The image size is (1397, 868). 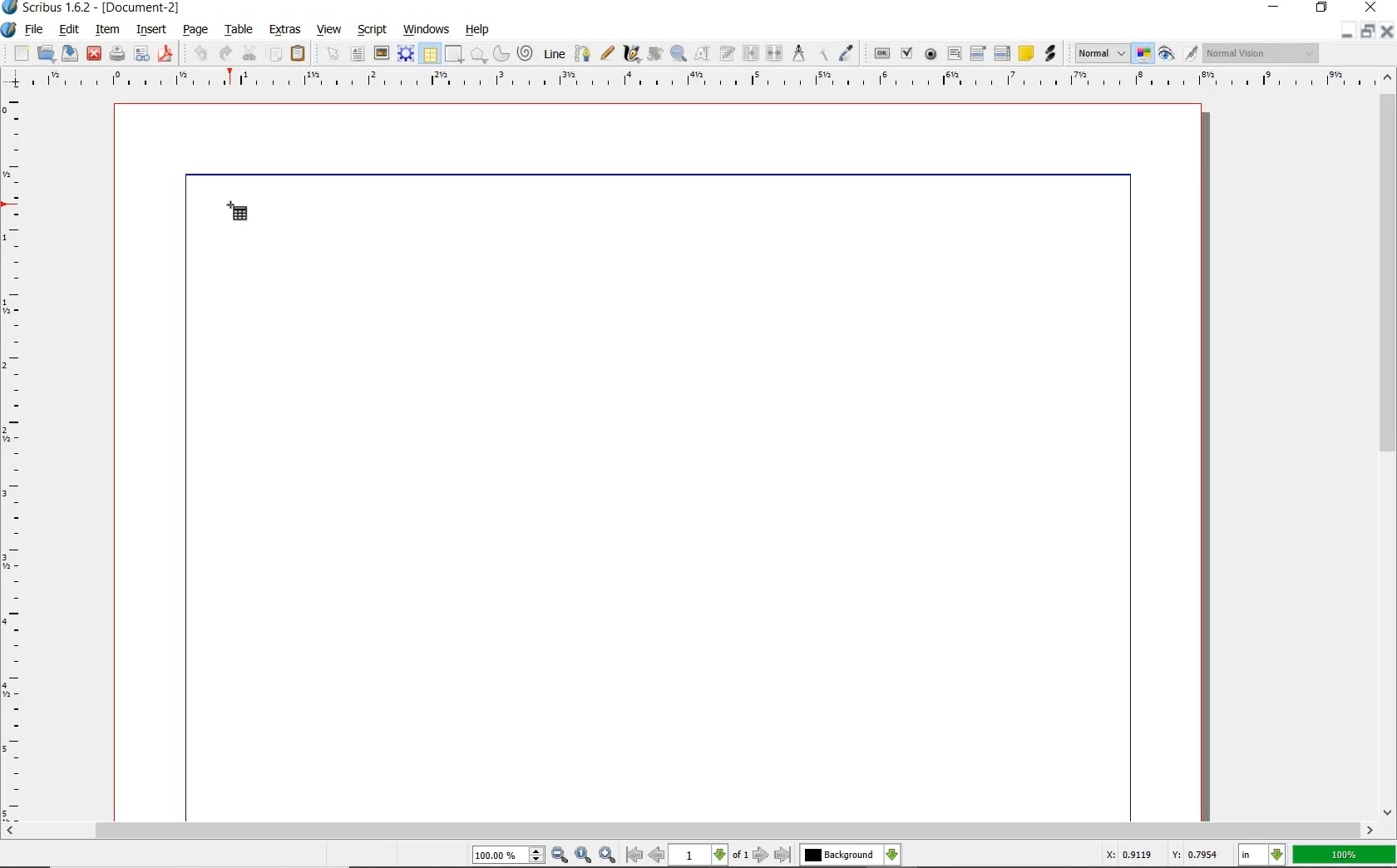 What do you see at coordinates (201, 54) in the screenshot?
I see `undo` at bounding box center [201, 54].